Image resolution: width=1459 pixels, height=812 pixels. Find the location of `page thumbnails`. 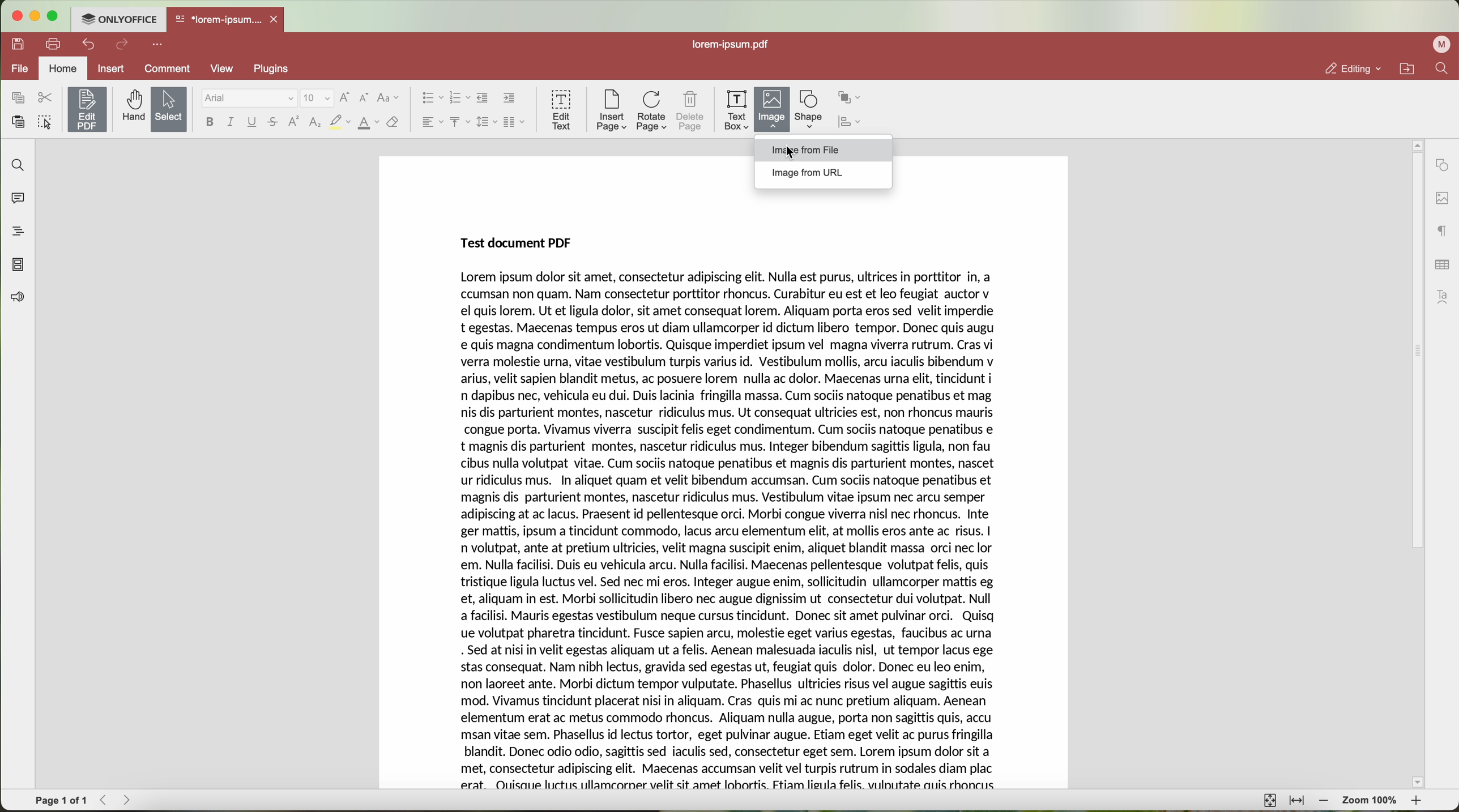

page thumbnails is located at coordinates (17, 264).